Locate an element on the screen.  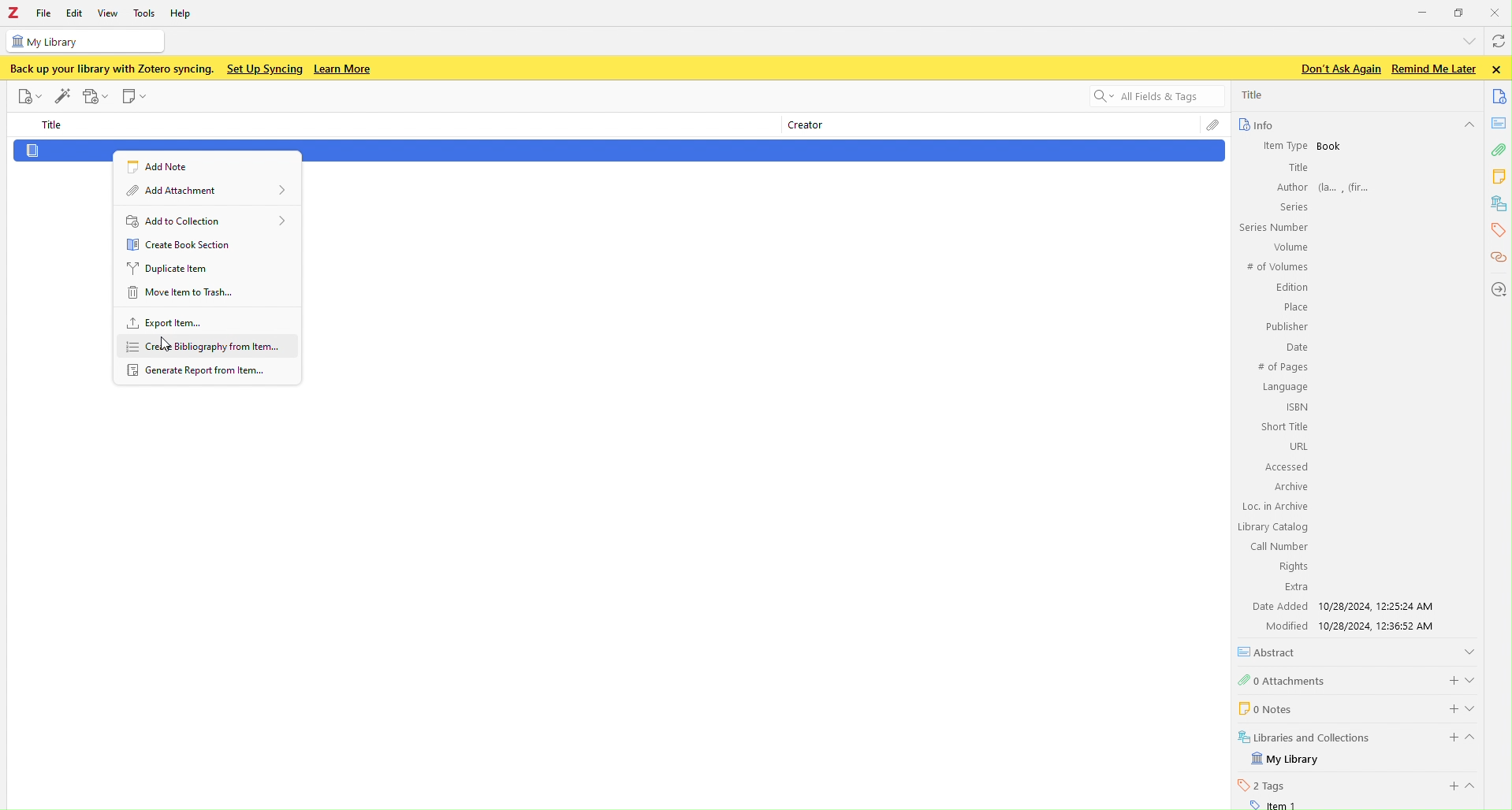
Zotero is located at coordinates (13, 13).